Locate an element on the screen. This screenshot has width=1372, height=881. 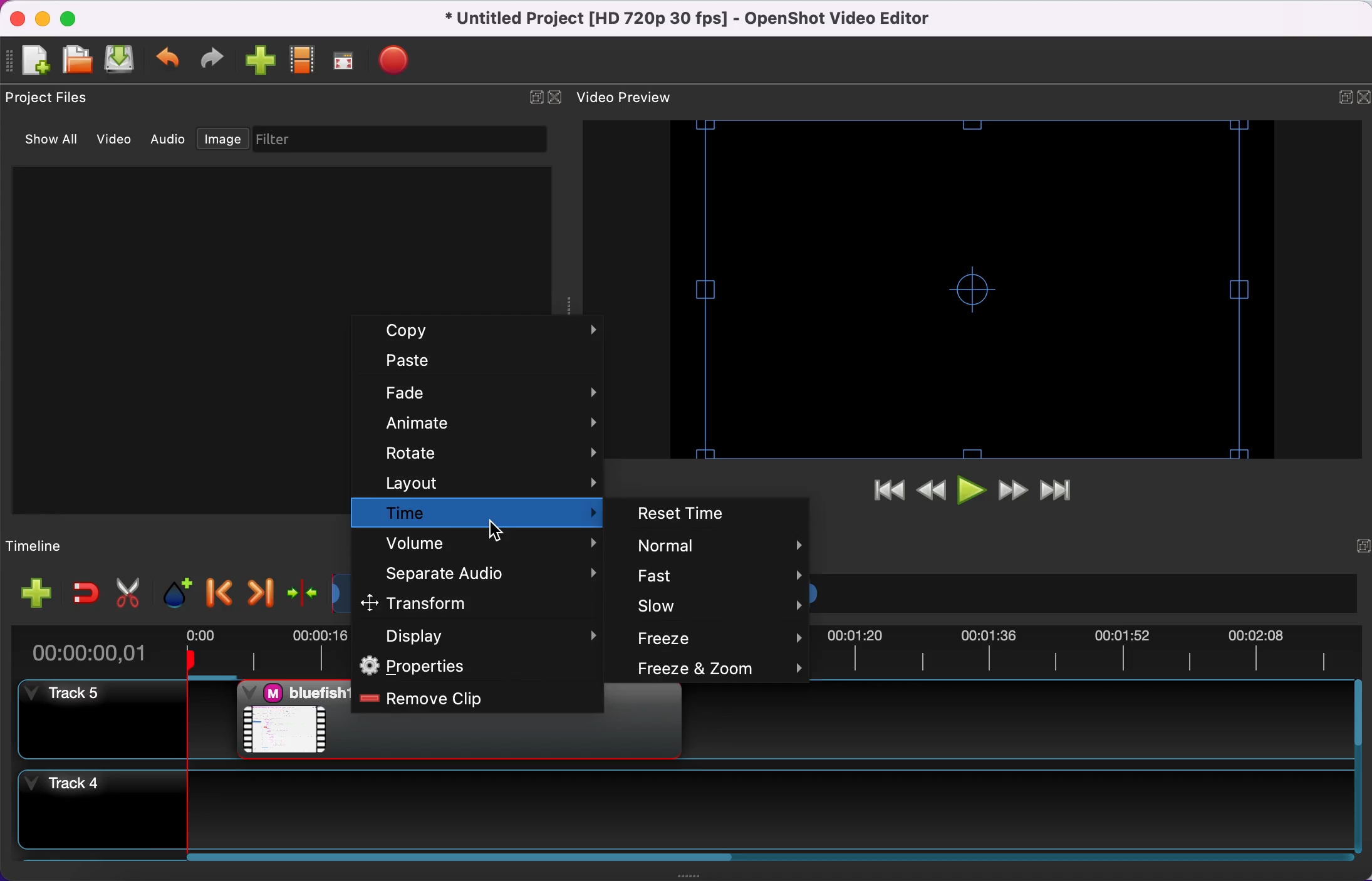
enable snapping is located at coordinates (86, 595).